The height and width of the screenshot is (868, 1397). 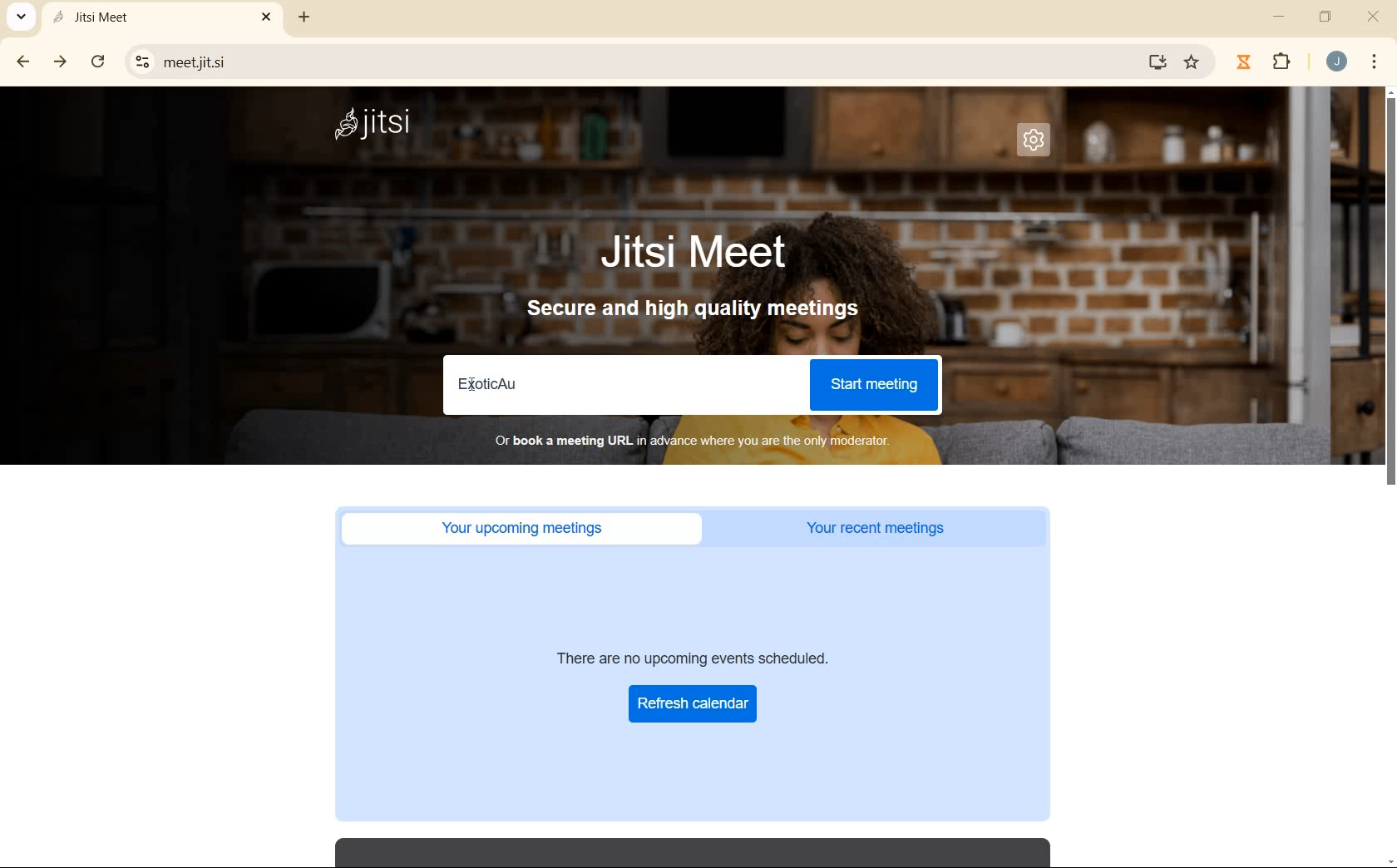 What do you see at coordinates (694, 703) in the screenshot?
I see `Refresh Calendar` at bounding box center [694, 703].